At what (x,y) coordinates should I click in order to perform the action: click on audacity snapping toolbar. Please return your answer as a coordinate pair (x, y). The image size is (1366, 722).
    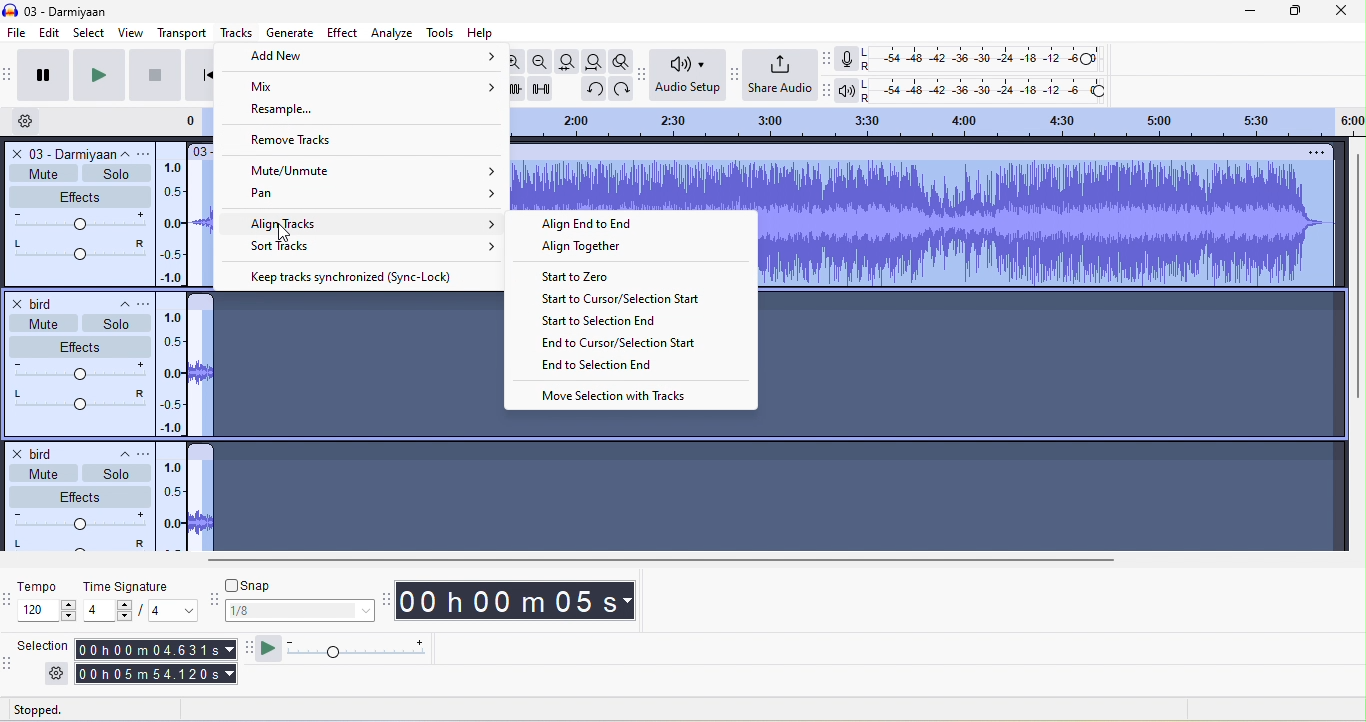
    Looking at the image, I should click on (208, 600).